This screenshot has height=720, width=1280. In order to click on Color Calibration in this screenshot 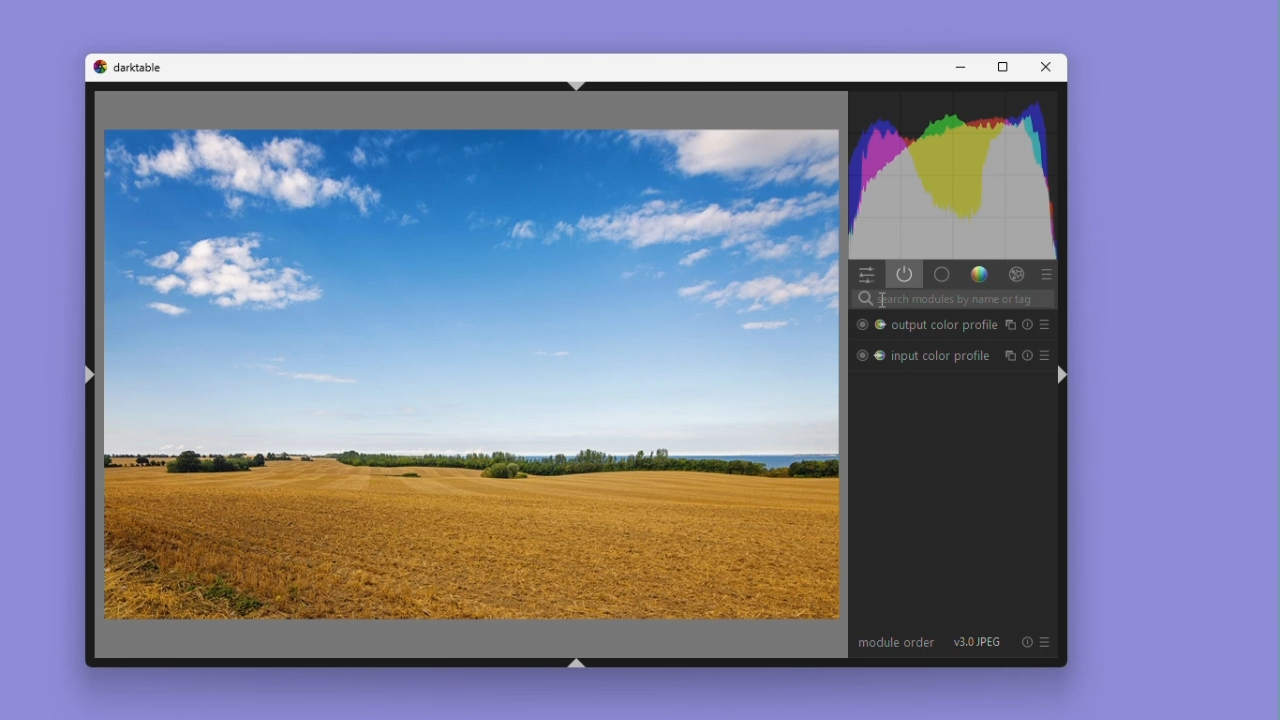, I will do `click(881, 355)`.